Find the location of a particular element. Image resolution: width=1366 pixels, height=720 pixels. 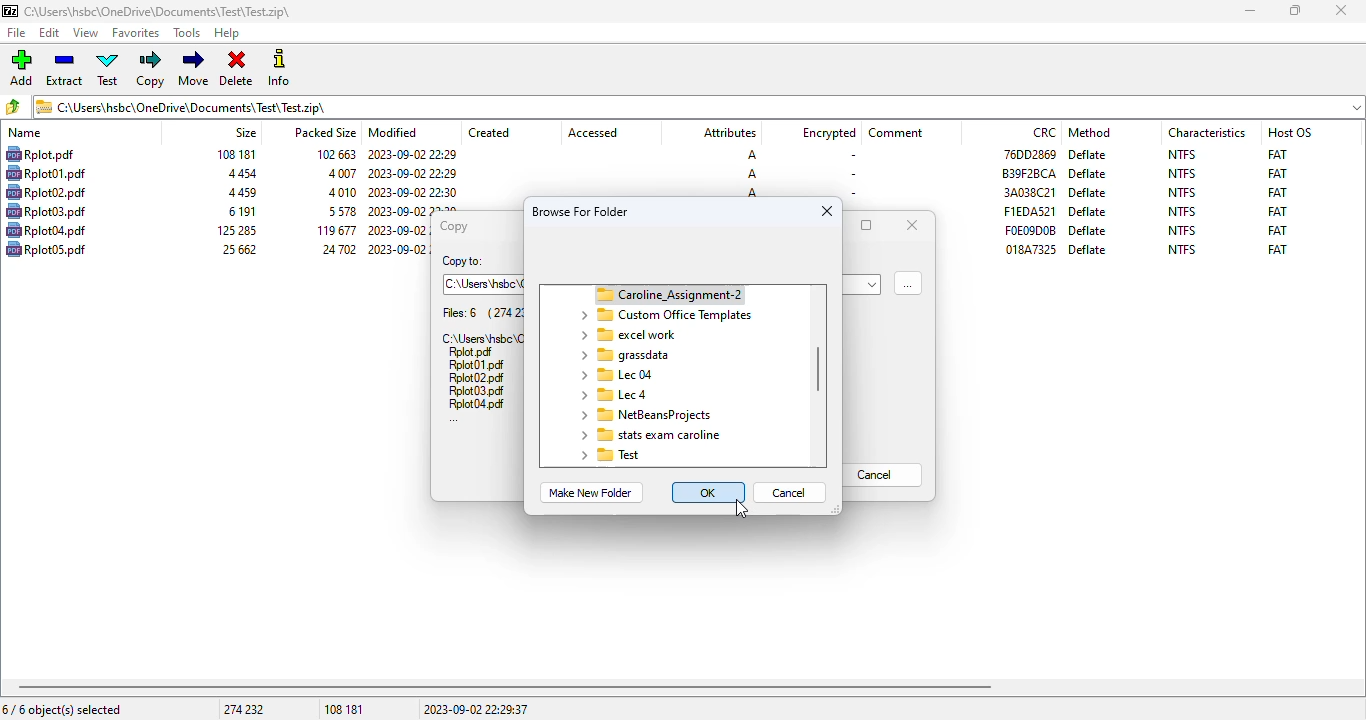

CRC is located at coordinates (1029, 173).